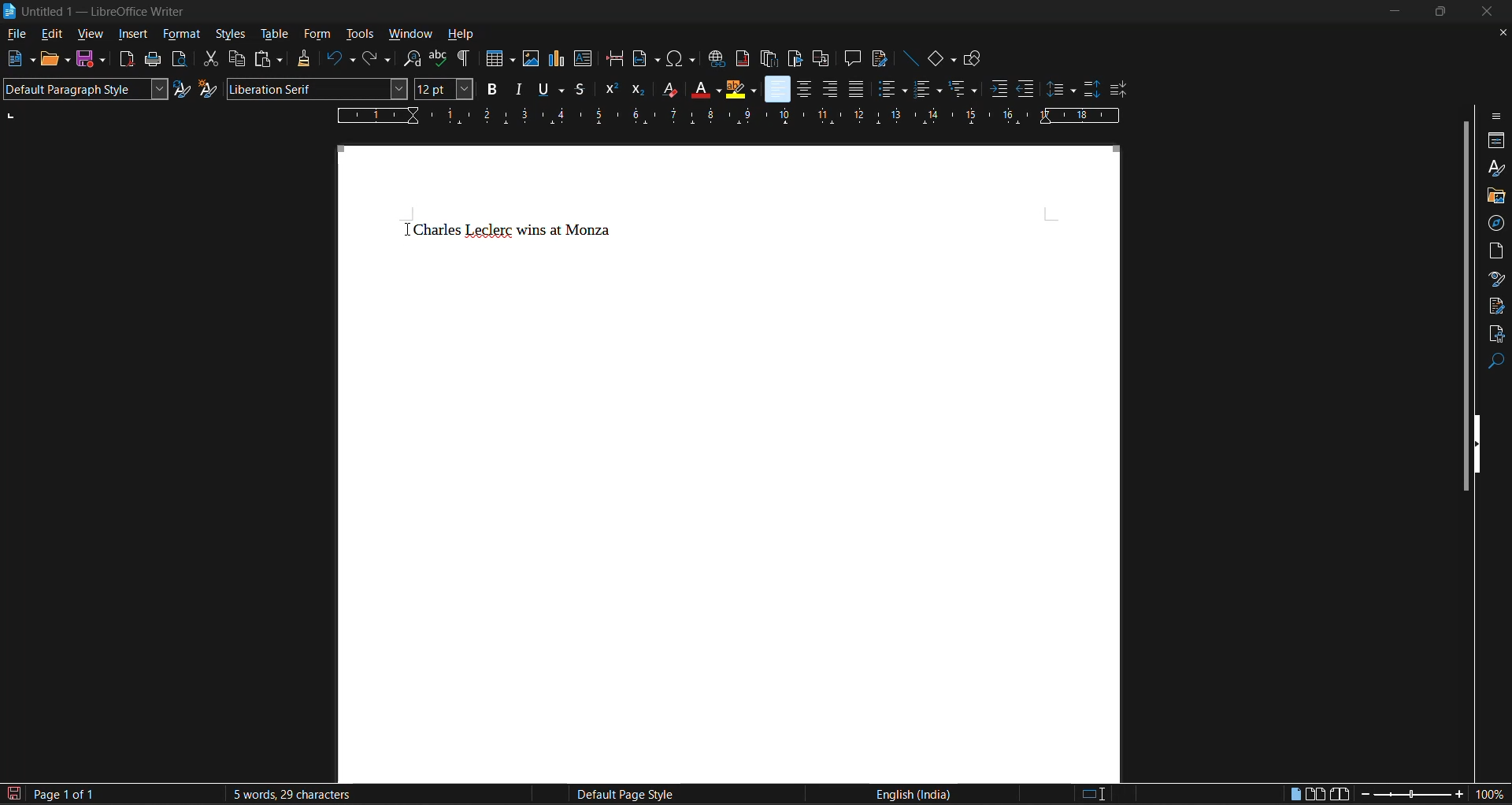 The height and width of the screenshot is (805, 1512). I want to click on insert cross reference, so click(821, 60).